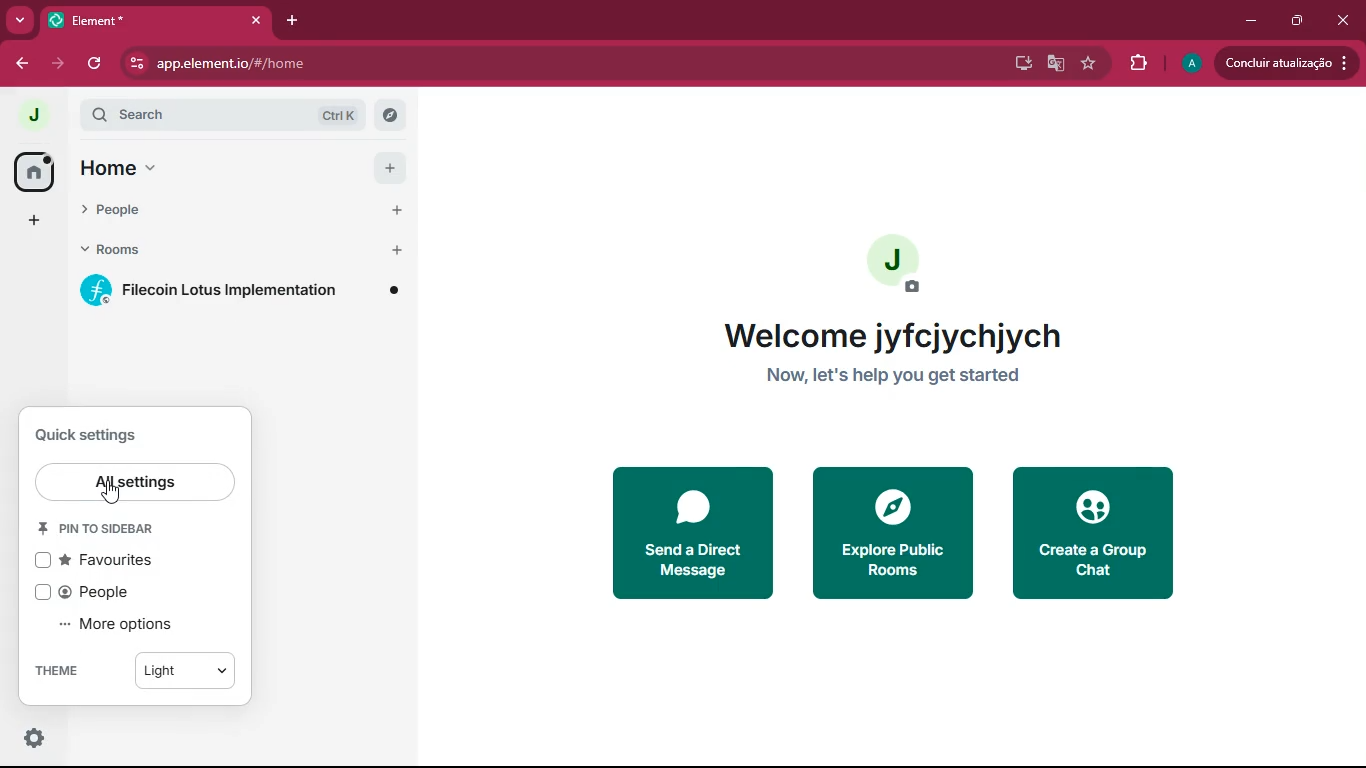 Image resolution: width=1366 pixels, height=768 pixels. I want to click on create a group chat, so click(1092, 534).